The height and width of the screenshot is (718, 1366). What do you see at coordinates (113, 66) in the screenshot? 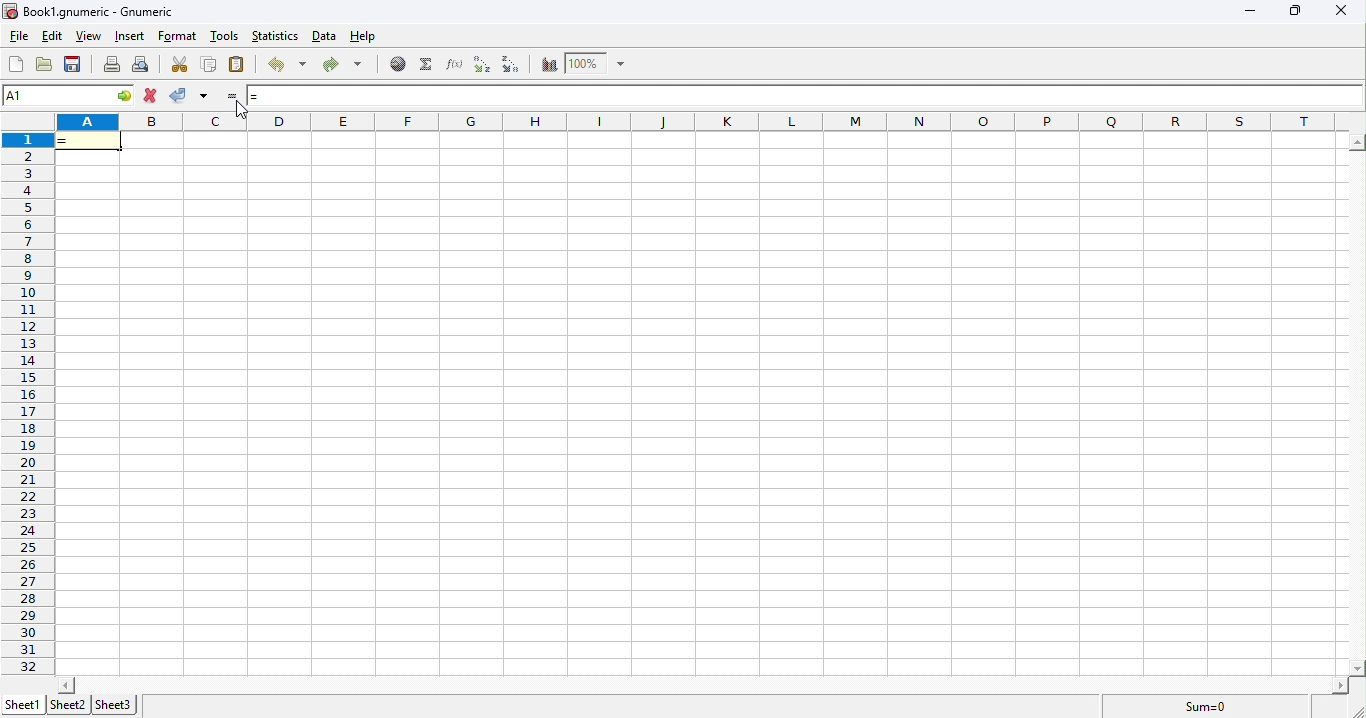
I see `print` at bounding box center [113, 66].